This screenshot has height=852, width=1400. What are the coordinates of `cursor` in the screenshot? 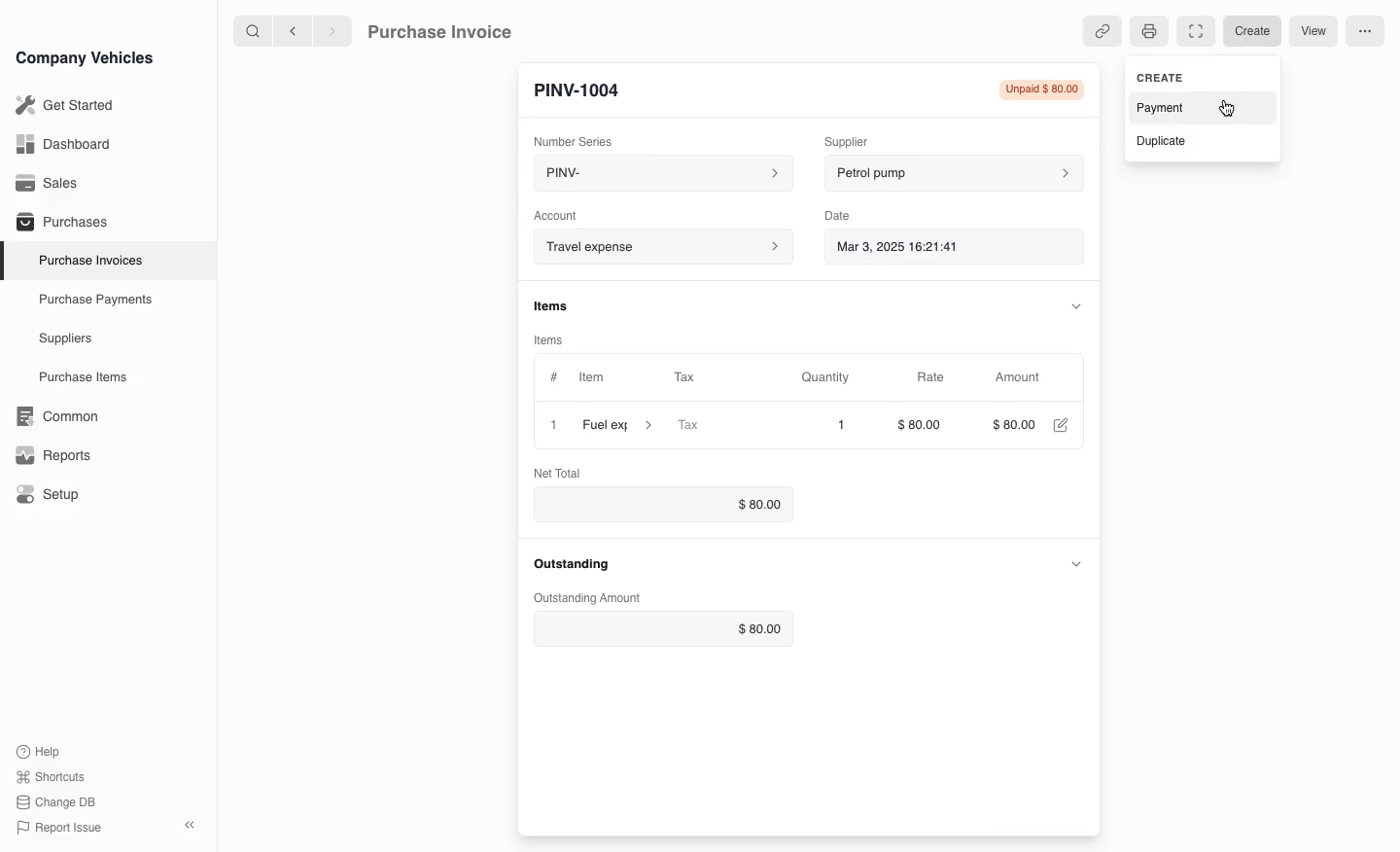 It's located at (1231, 109).